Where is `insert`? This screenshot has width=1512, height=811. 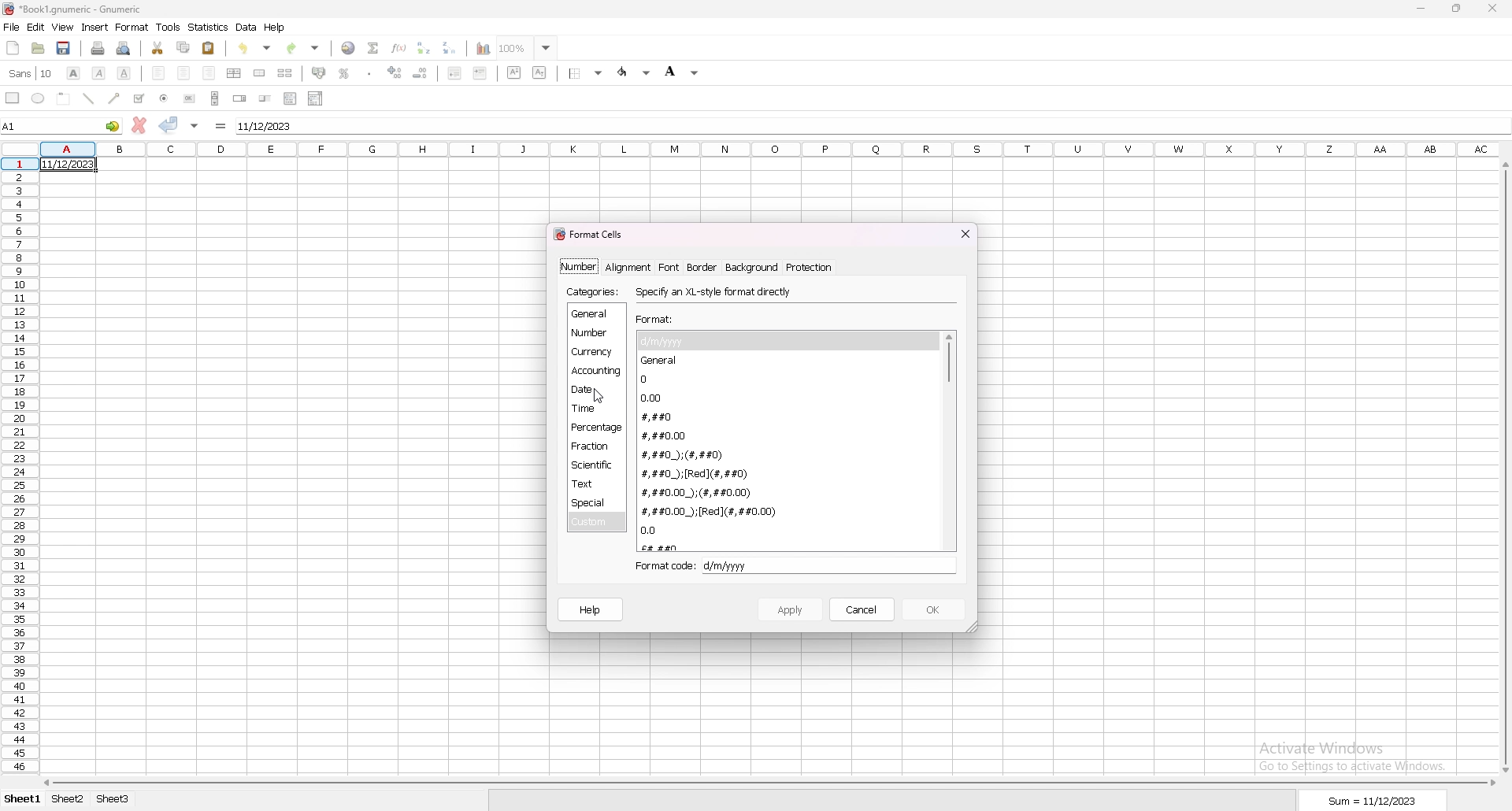
insert is located at coordinates (95, 28).